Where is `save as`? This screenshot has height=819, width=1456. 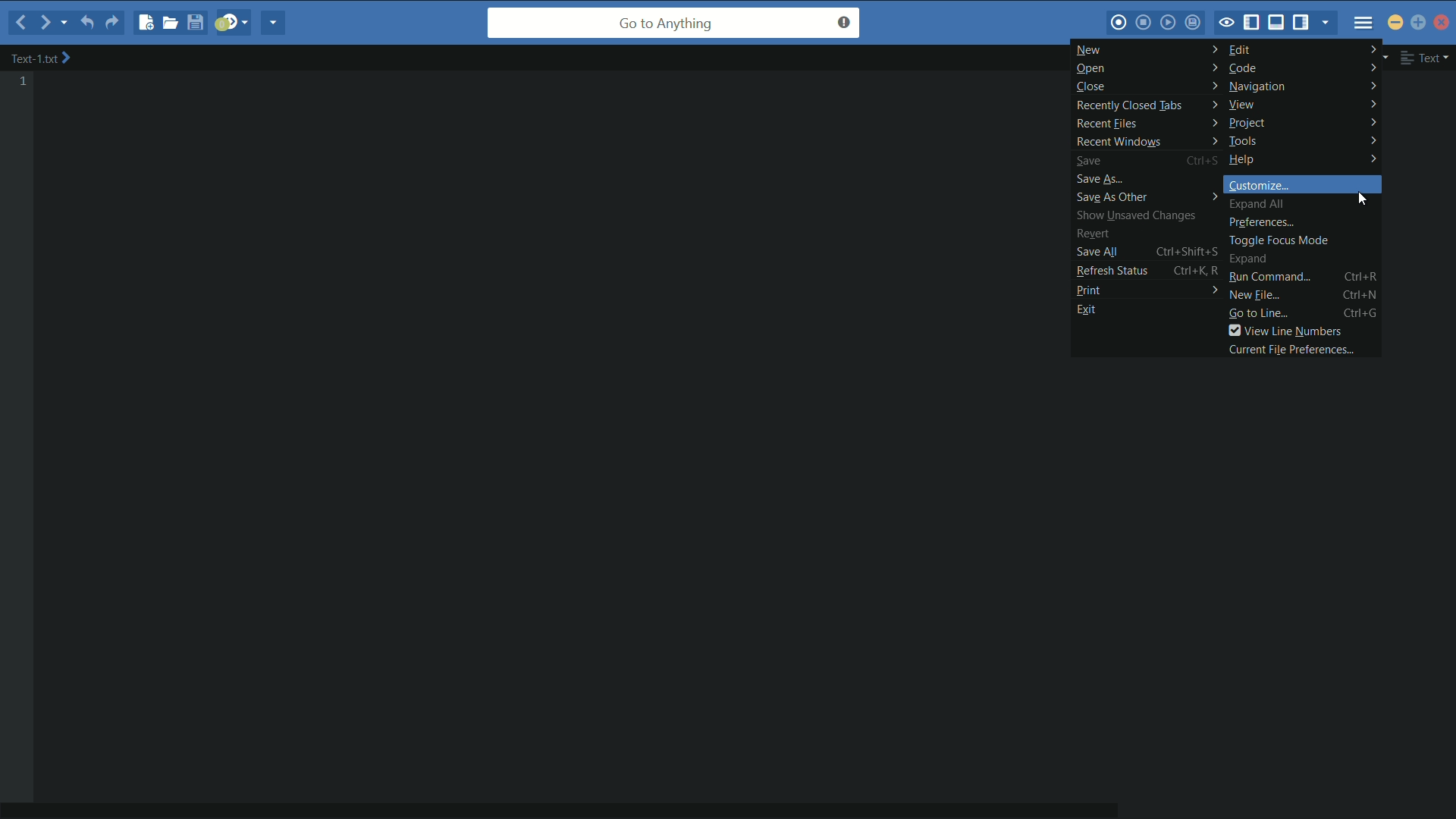
save as is located at coordinates (1098, 179).